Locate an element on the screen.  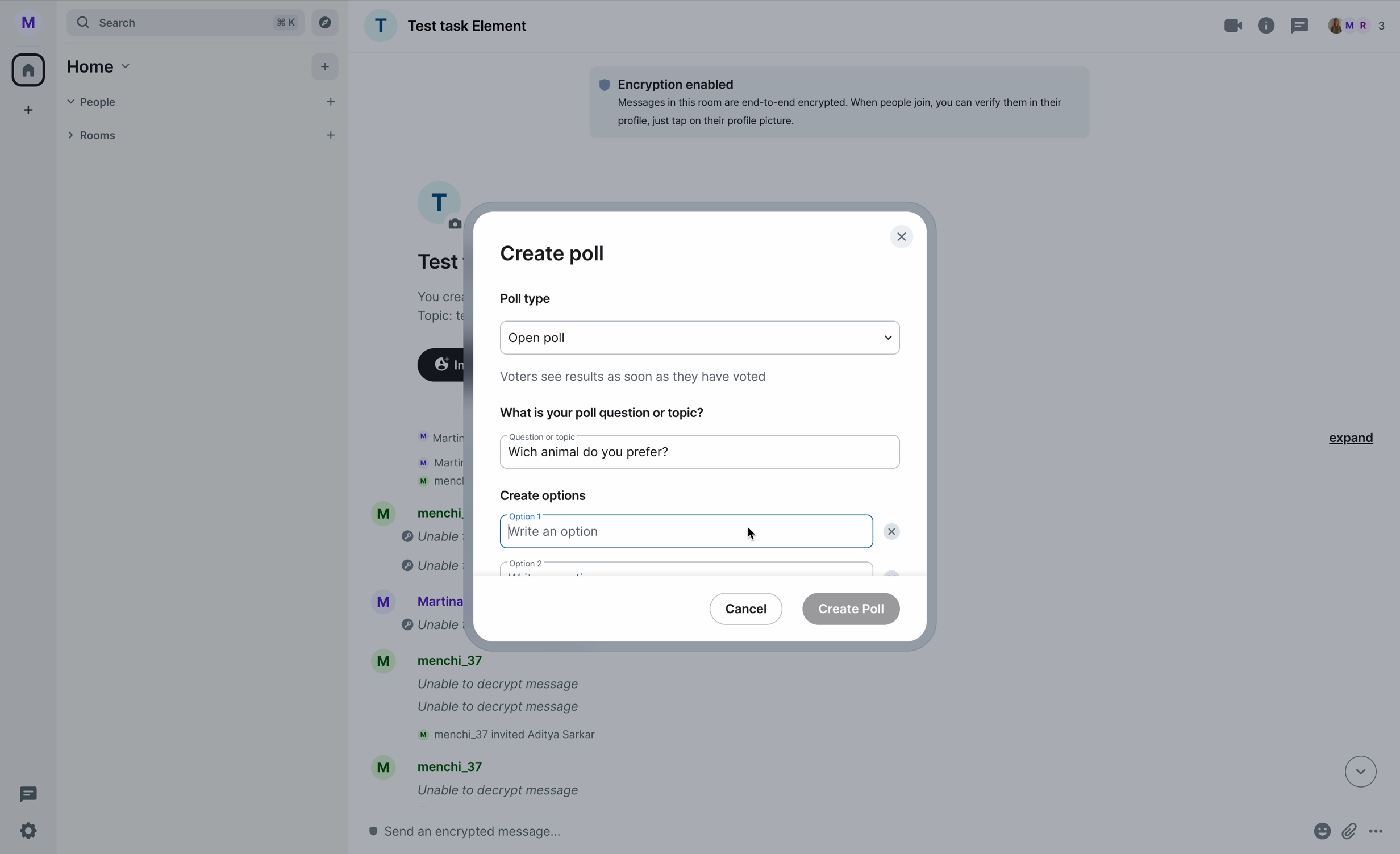
M menchi_37
Unable to decrypt message
Unable to decrypt message
M menchi_37 invited Aditya Sarkar is located at coordinates (491, 700).